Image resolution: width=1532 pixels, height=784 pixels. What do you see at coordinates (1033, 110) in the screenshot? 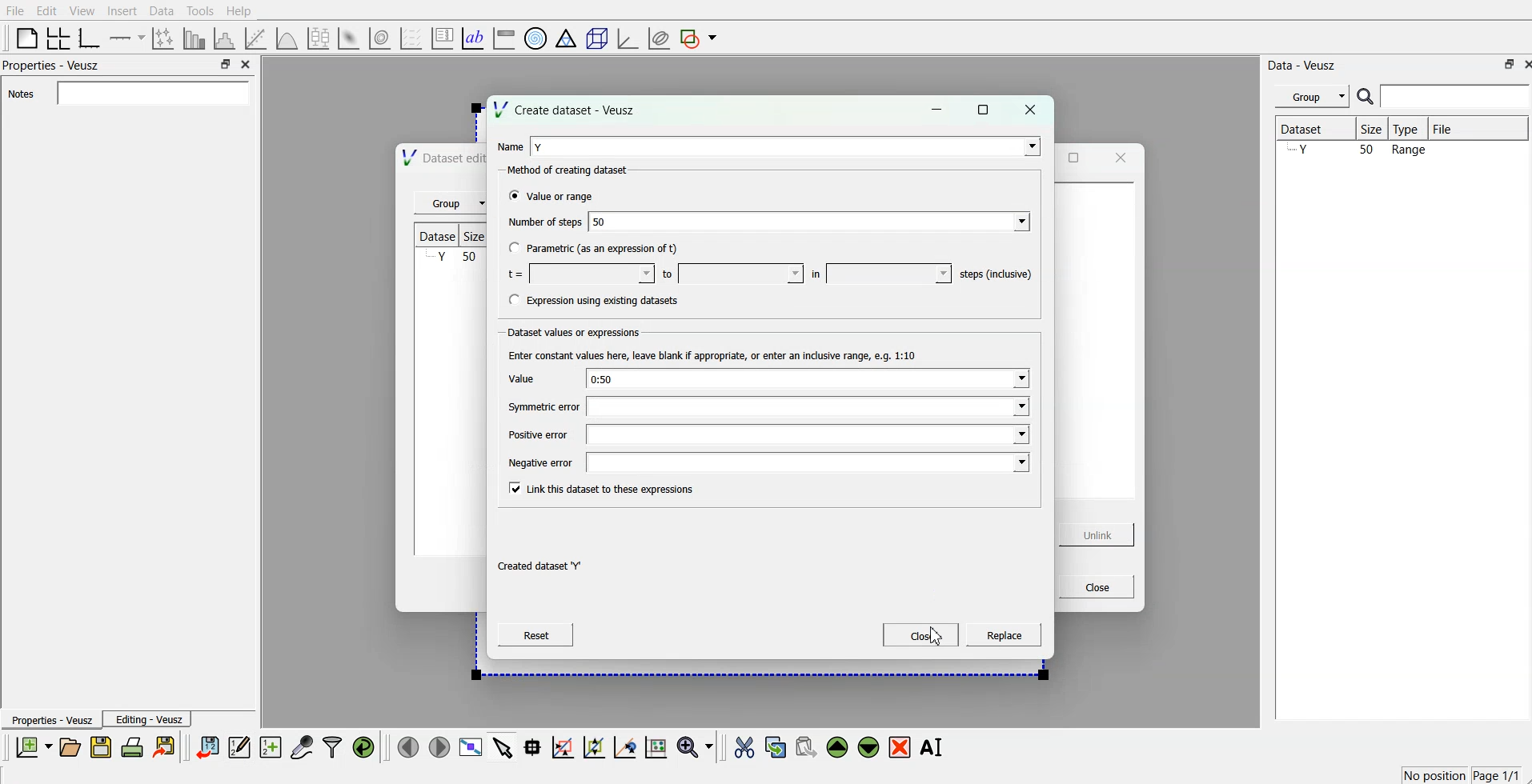
I see `close` at bounding box center [1033, 110].